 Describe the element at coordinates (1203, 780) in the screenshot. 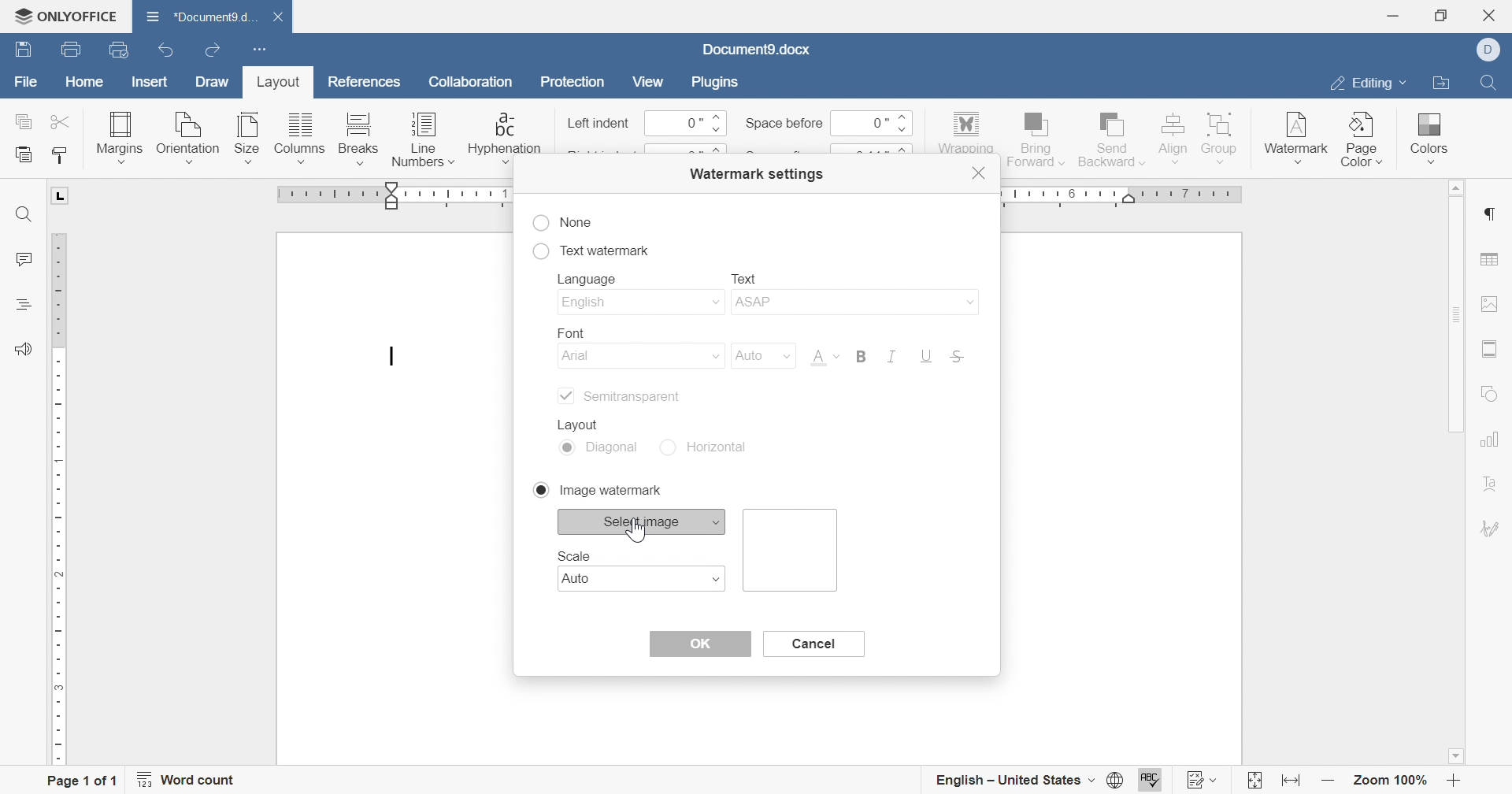

I see `track changes` at that location.